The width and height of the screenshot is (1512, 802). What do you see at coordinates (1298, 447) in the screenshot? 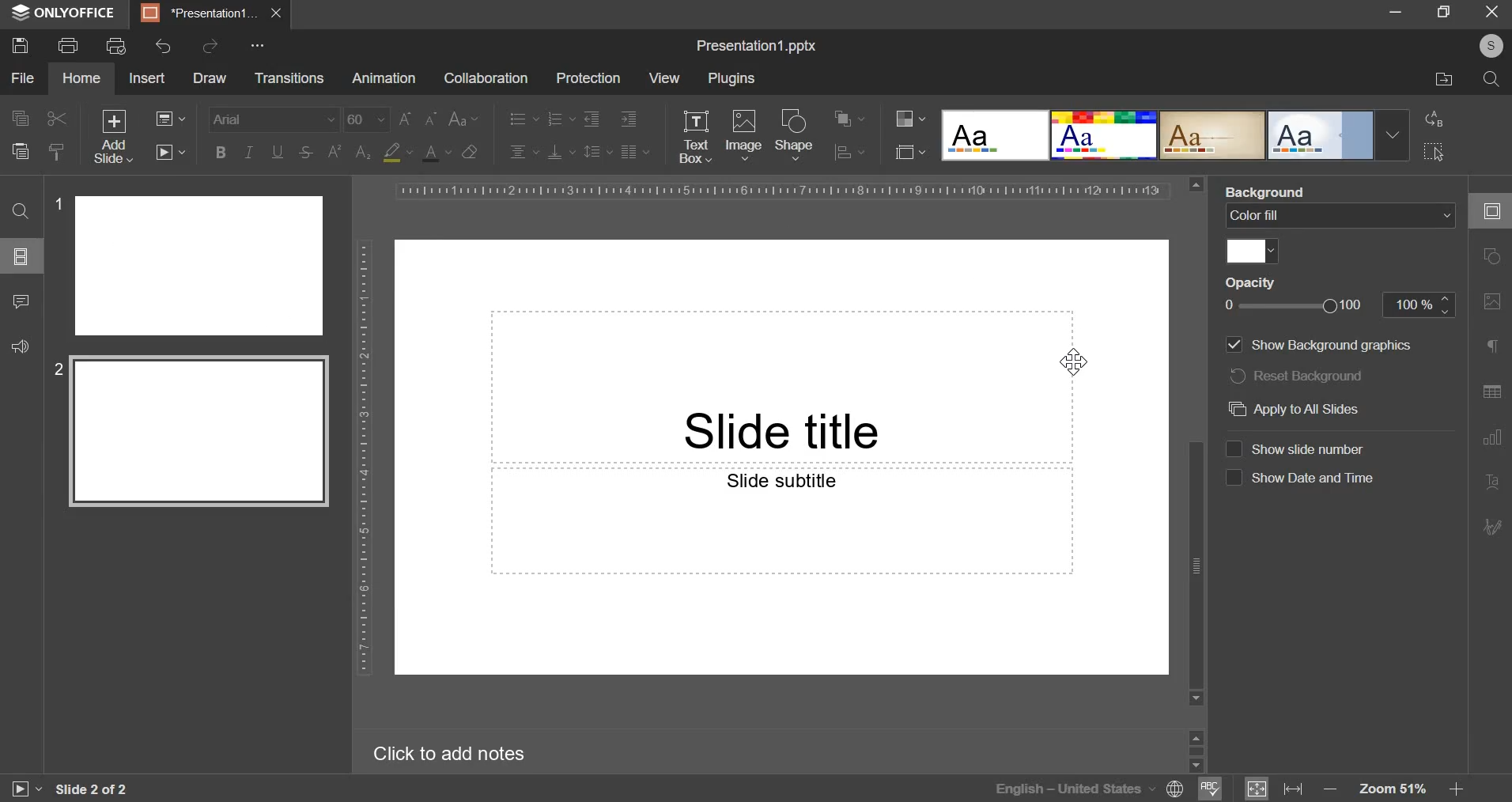
I see `show slide number` at bounding box center [1298, 447].